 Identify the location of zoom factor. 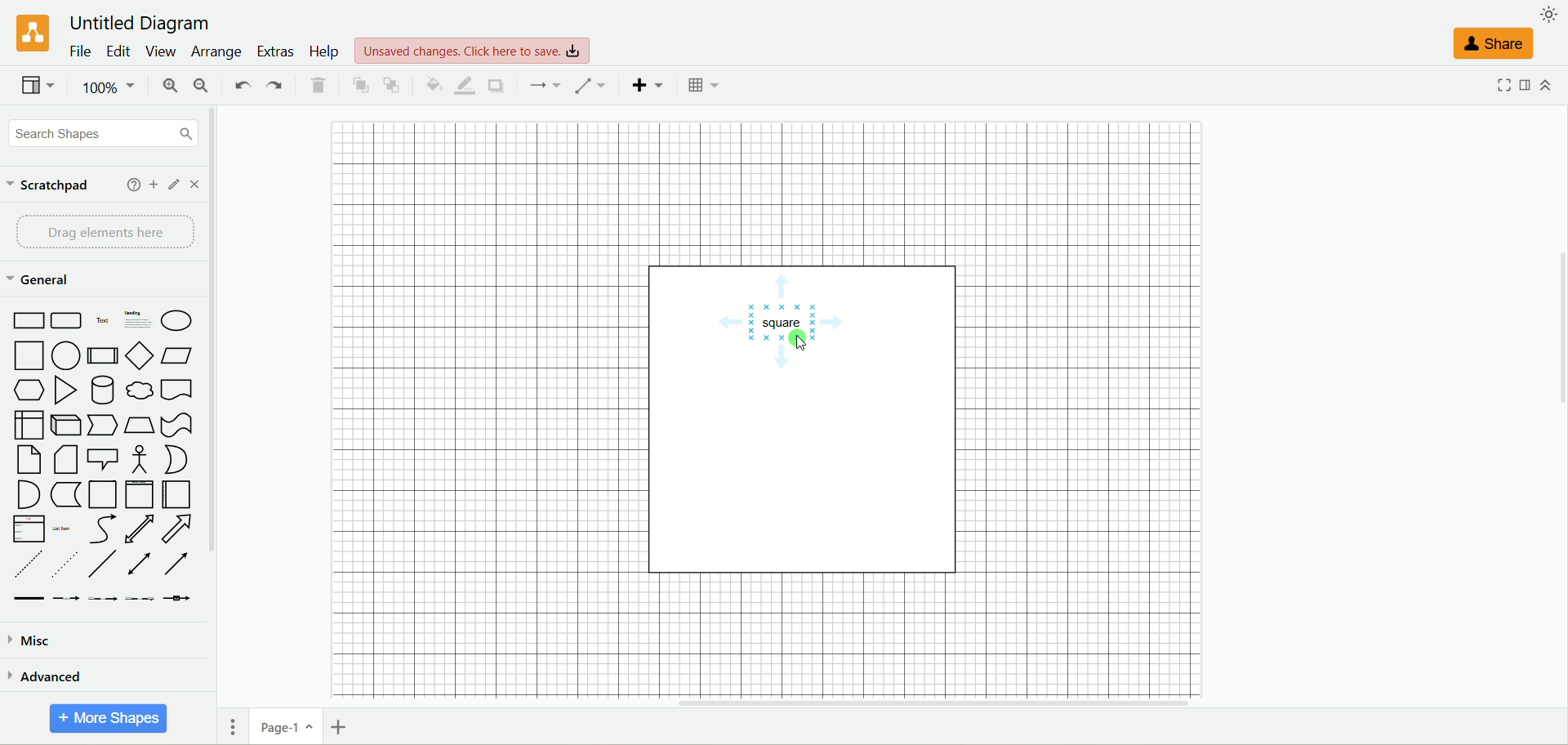
(112, 87).